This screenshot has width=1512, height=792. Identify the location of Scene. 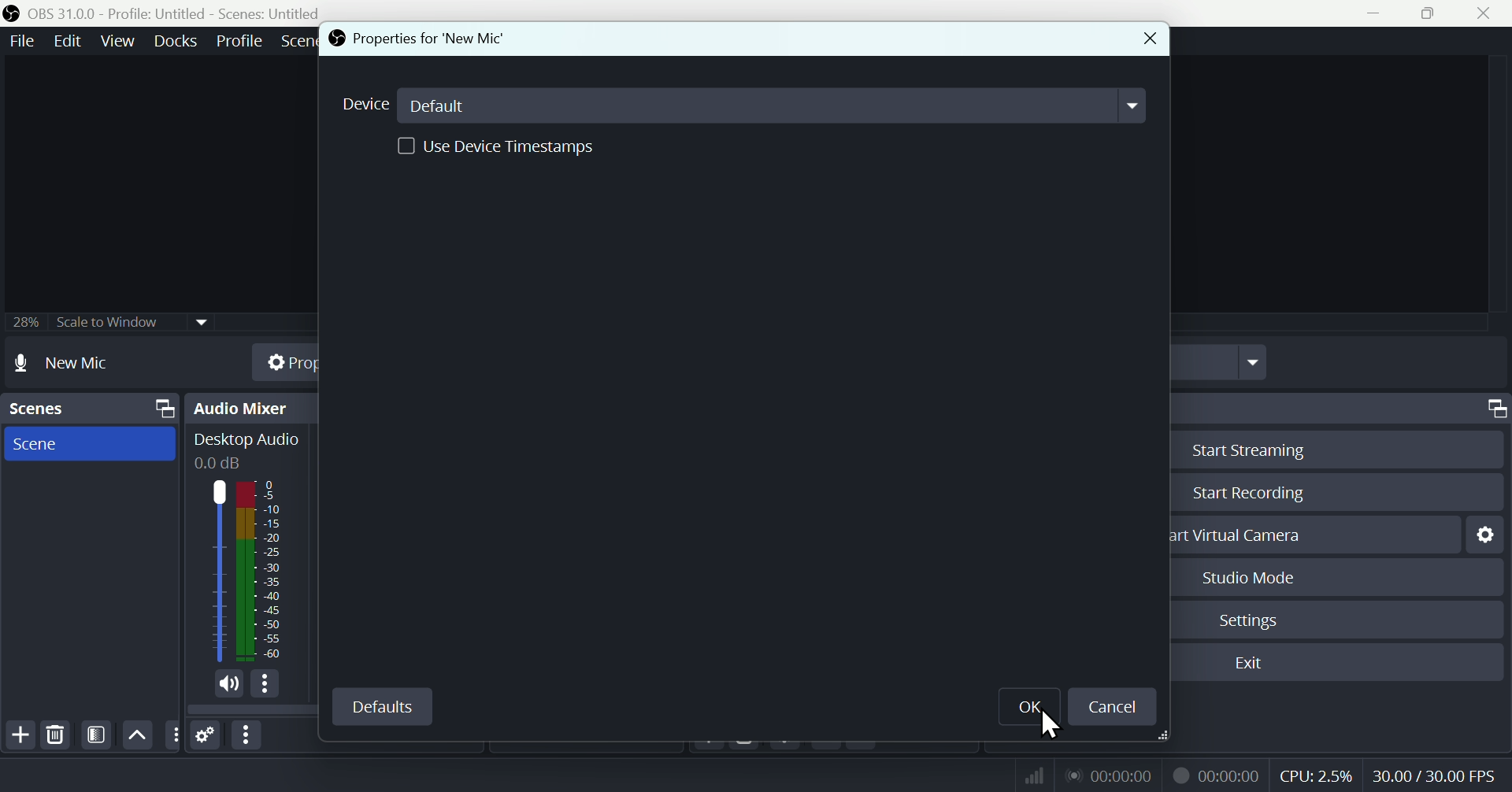
(86, 442).